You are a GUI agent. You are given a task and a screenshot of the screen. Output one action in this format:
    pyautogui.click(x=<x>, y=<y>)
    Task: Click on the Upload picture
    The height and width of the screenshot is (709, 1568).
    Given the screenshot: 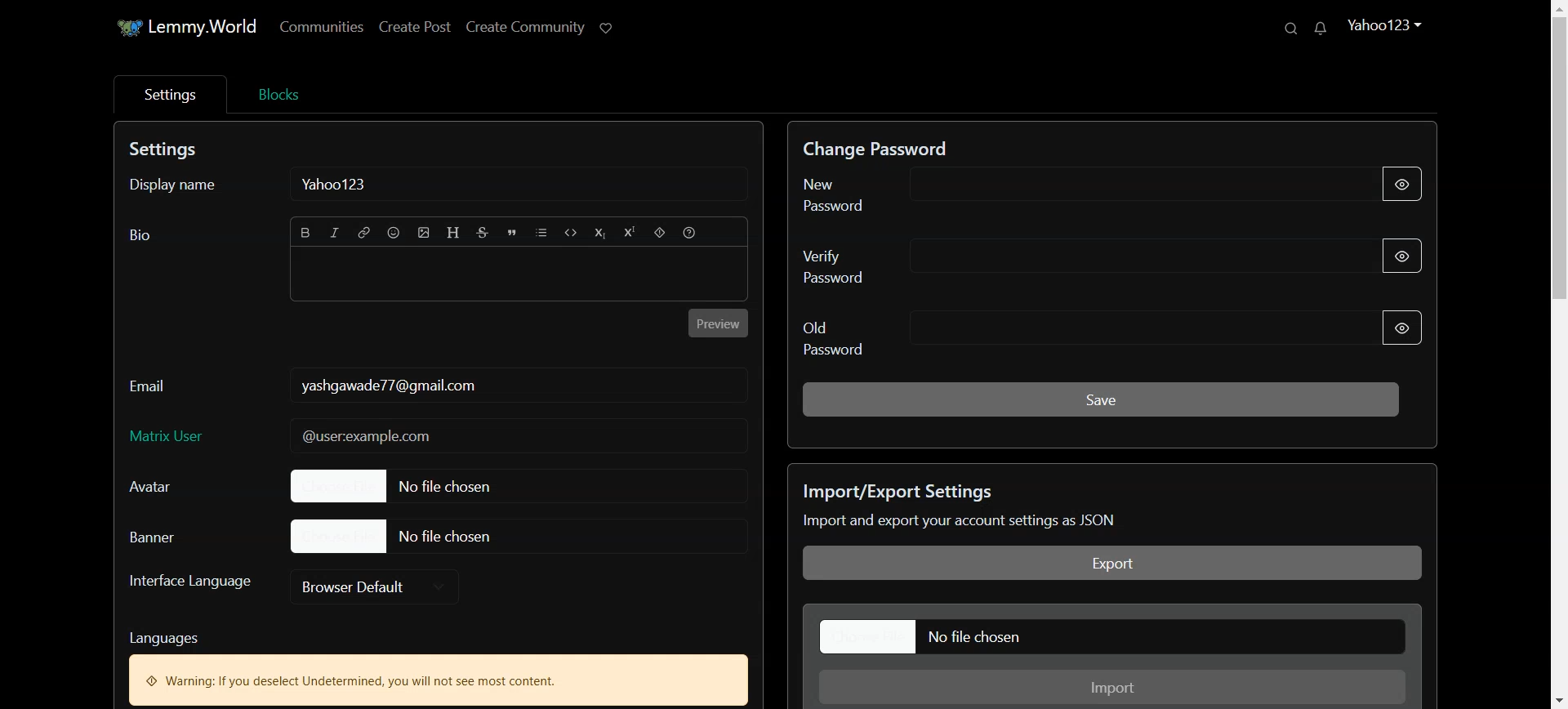 What is the action you would take?
    pyautogui.click(x=425, y=233)
    